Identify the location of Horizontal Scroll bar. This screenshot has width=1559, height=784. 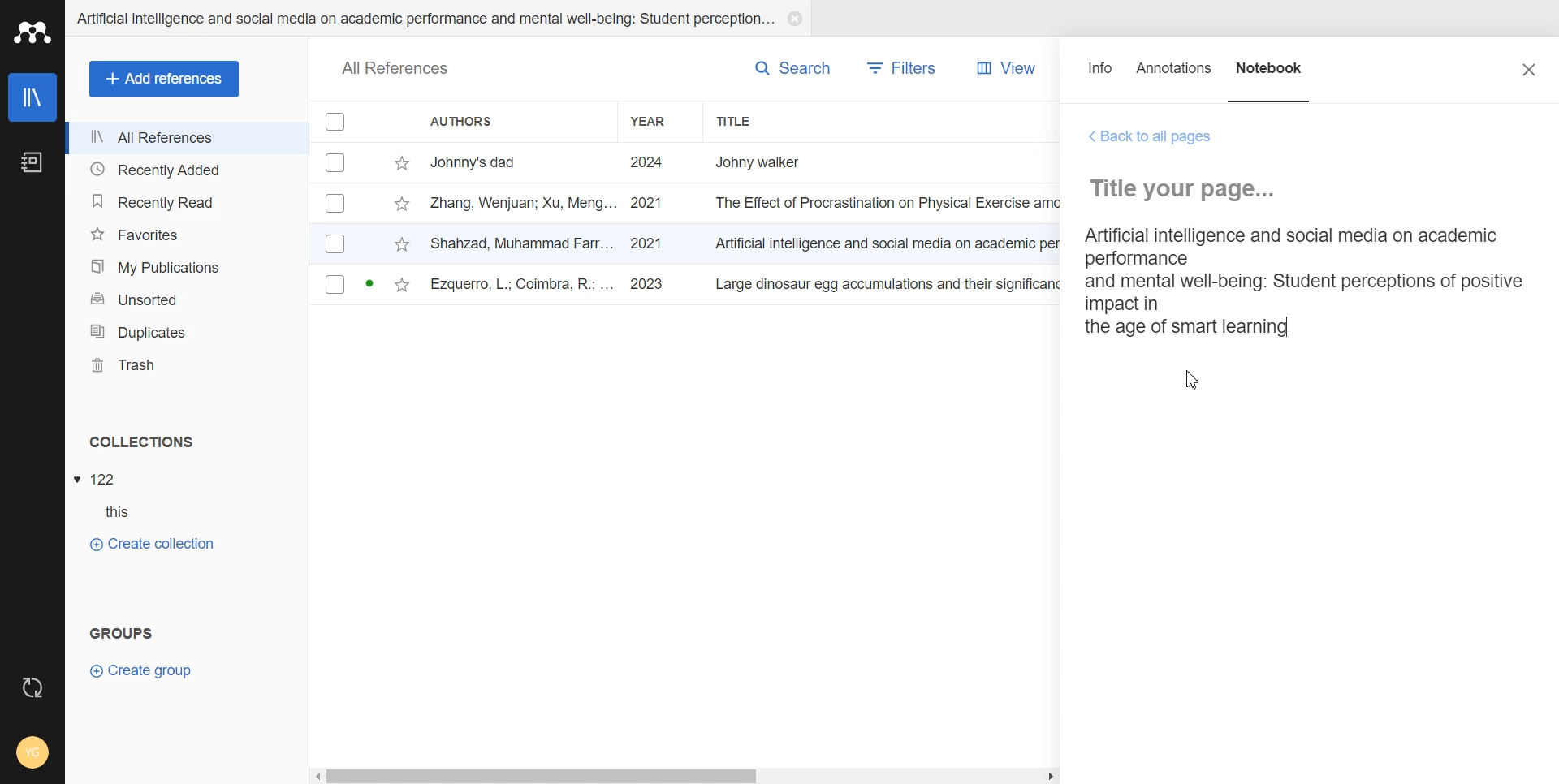
(686, 774).